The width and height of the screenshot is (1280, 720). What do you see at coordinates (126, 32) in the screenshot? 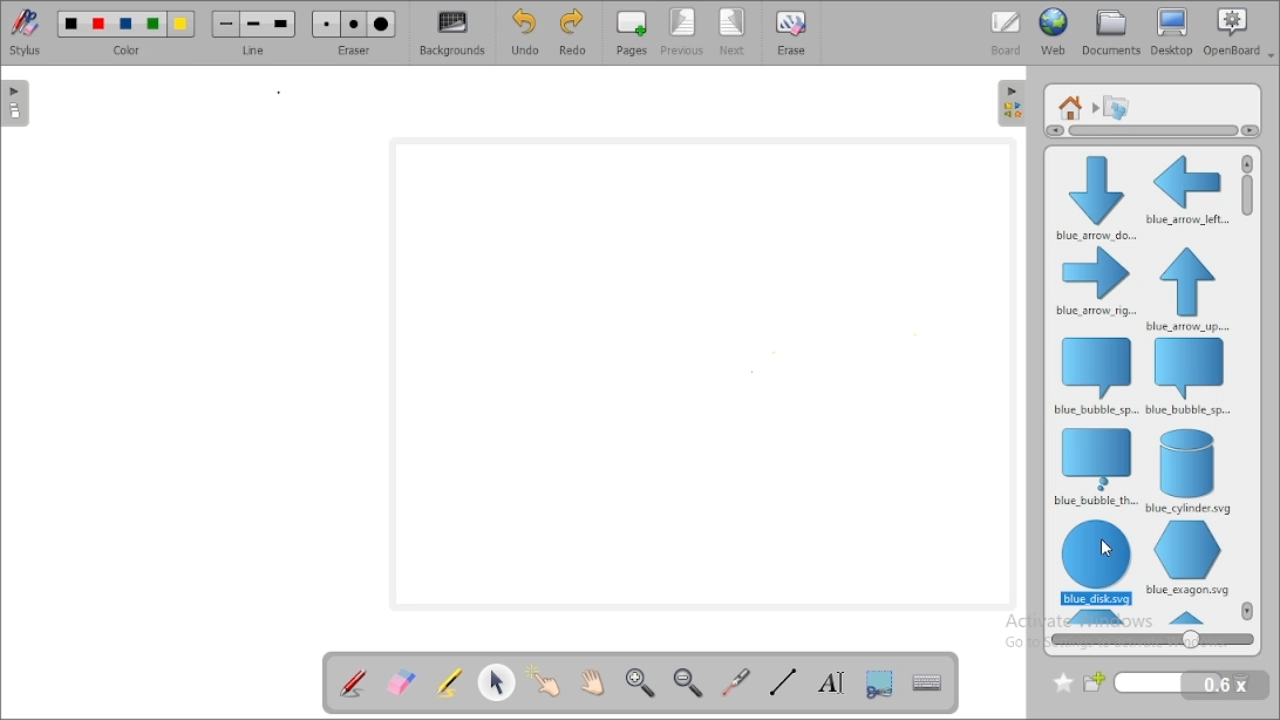
I see `color` at bounding box center [126, 32].